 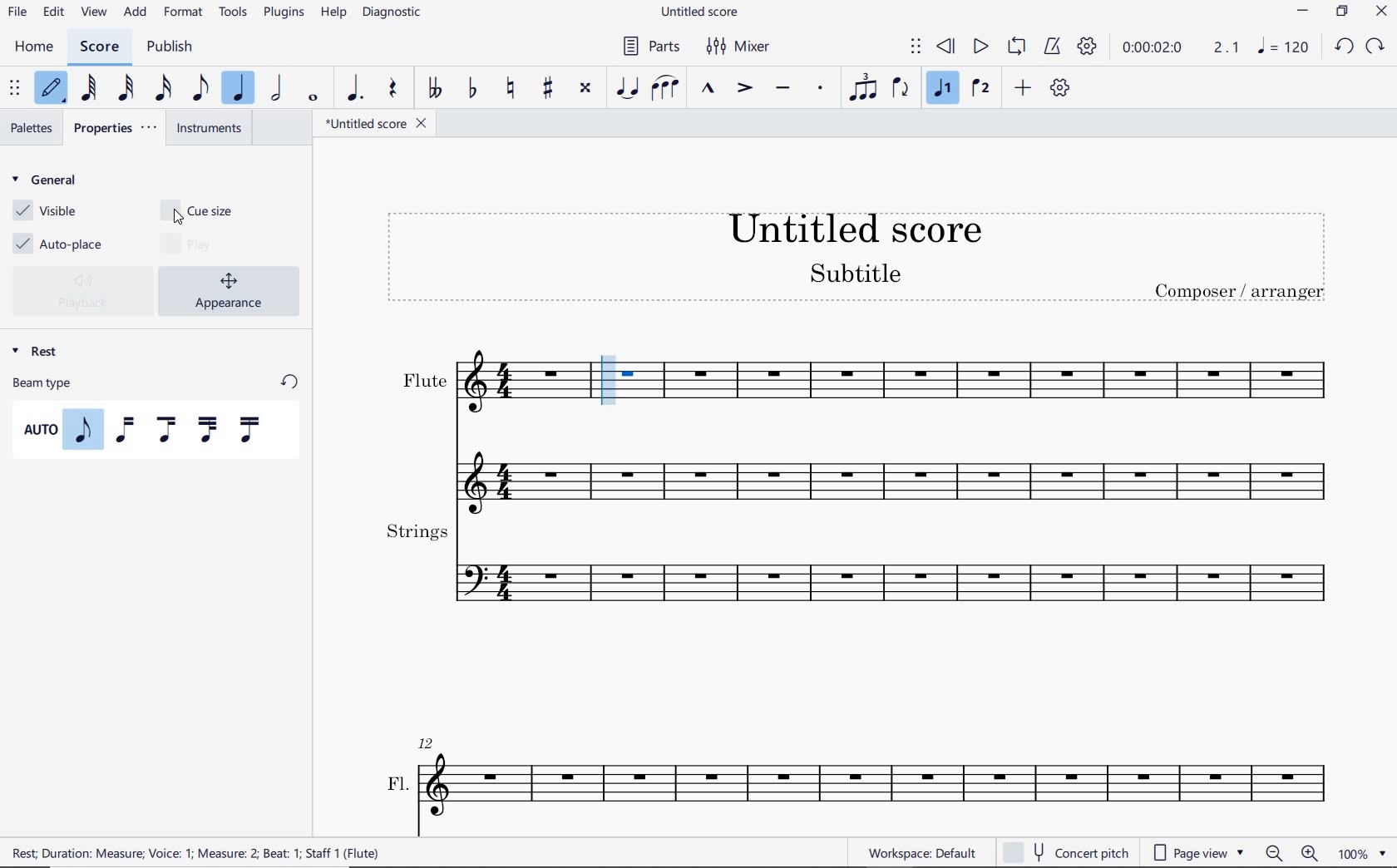 I want to click on PLAYBACK, so click(x=85, y=291).